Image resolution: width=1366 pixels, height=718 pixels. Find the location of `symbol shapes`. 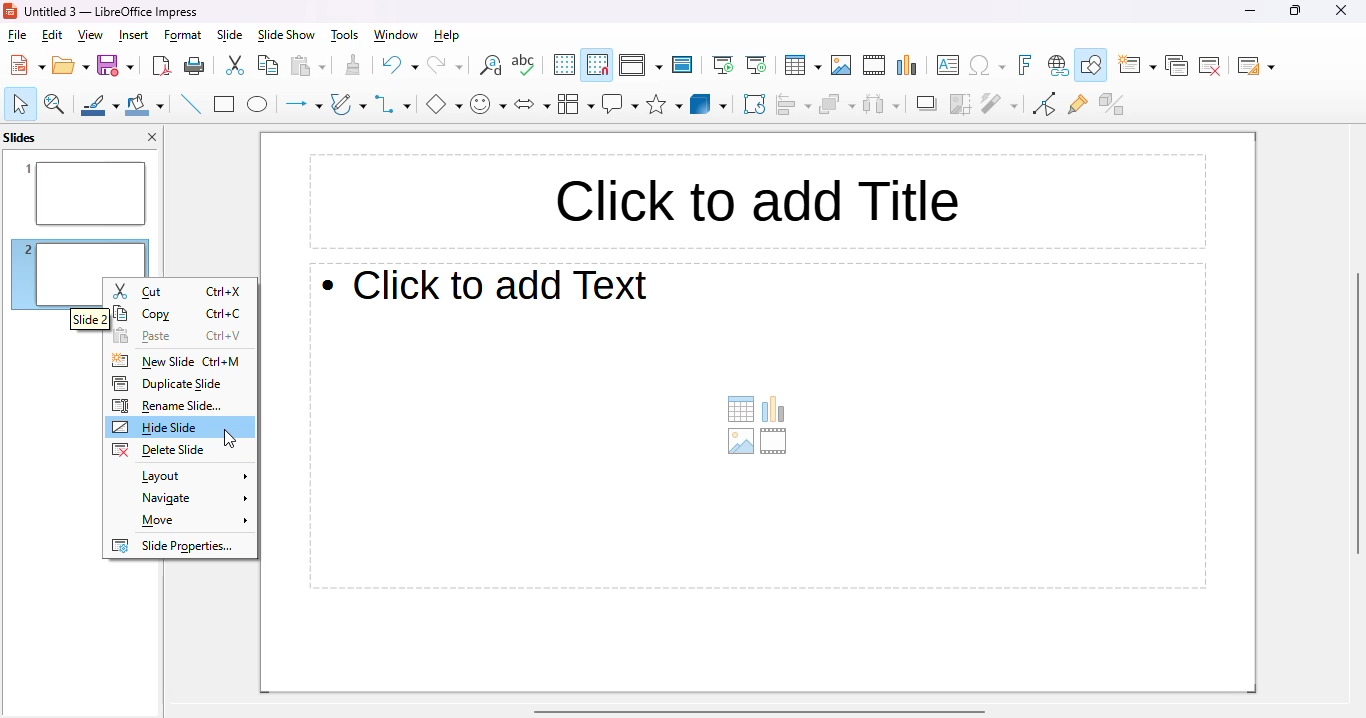

symbol shapes is located at coordinates (488, 106).